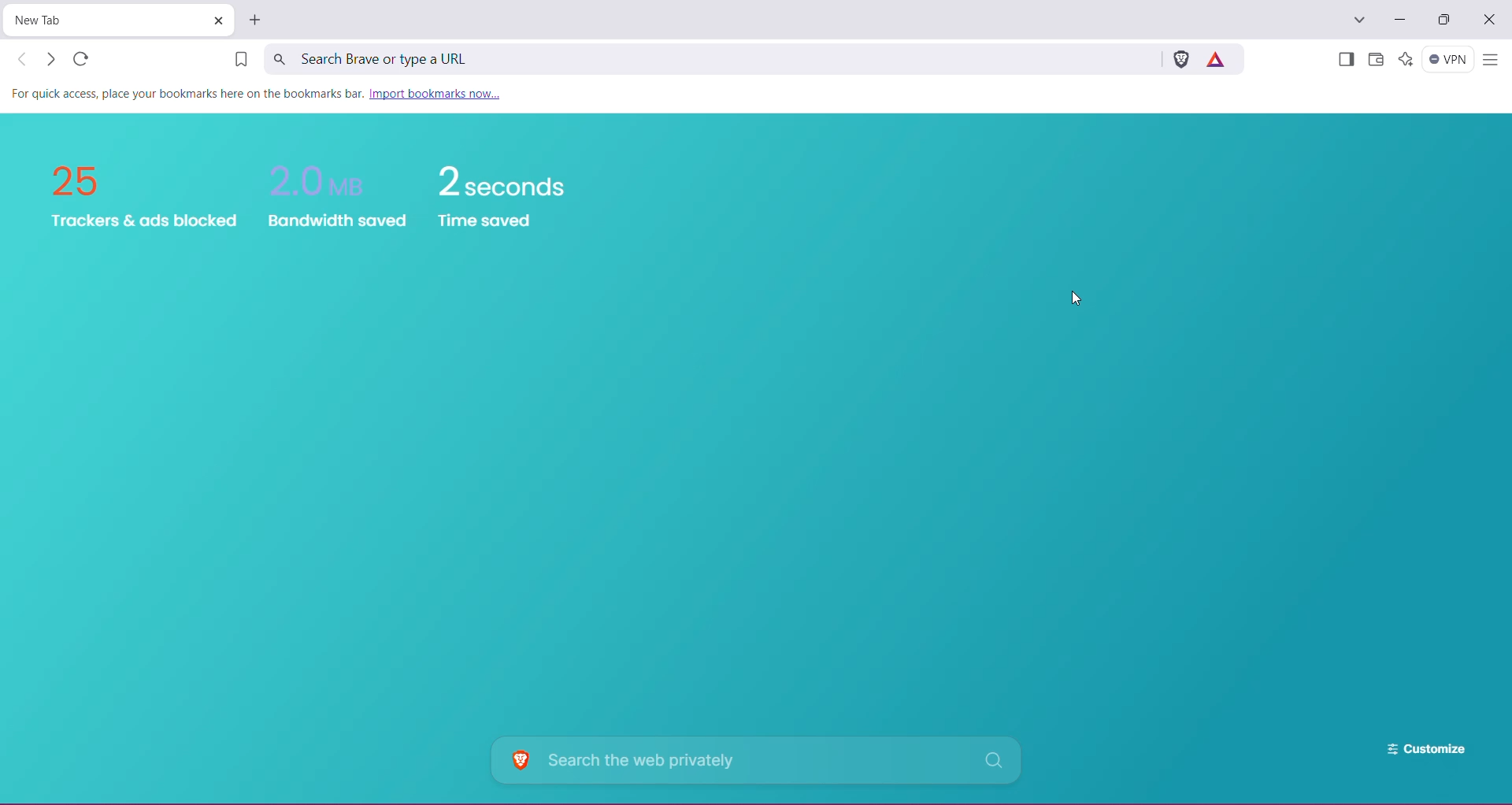  Describe the element at coordinates (1376, 61) in the screenshot. I see `Brave Wallet` at that location.